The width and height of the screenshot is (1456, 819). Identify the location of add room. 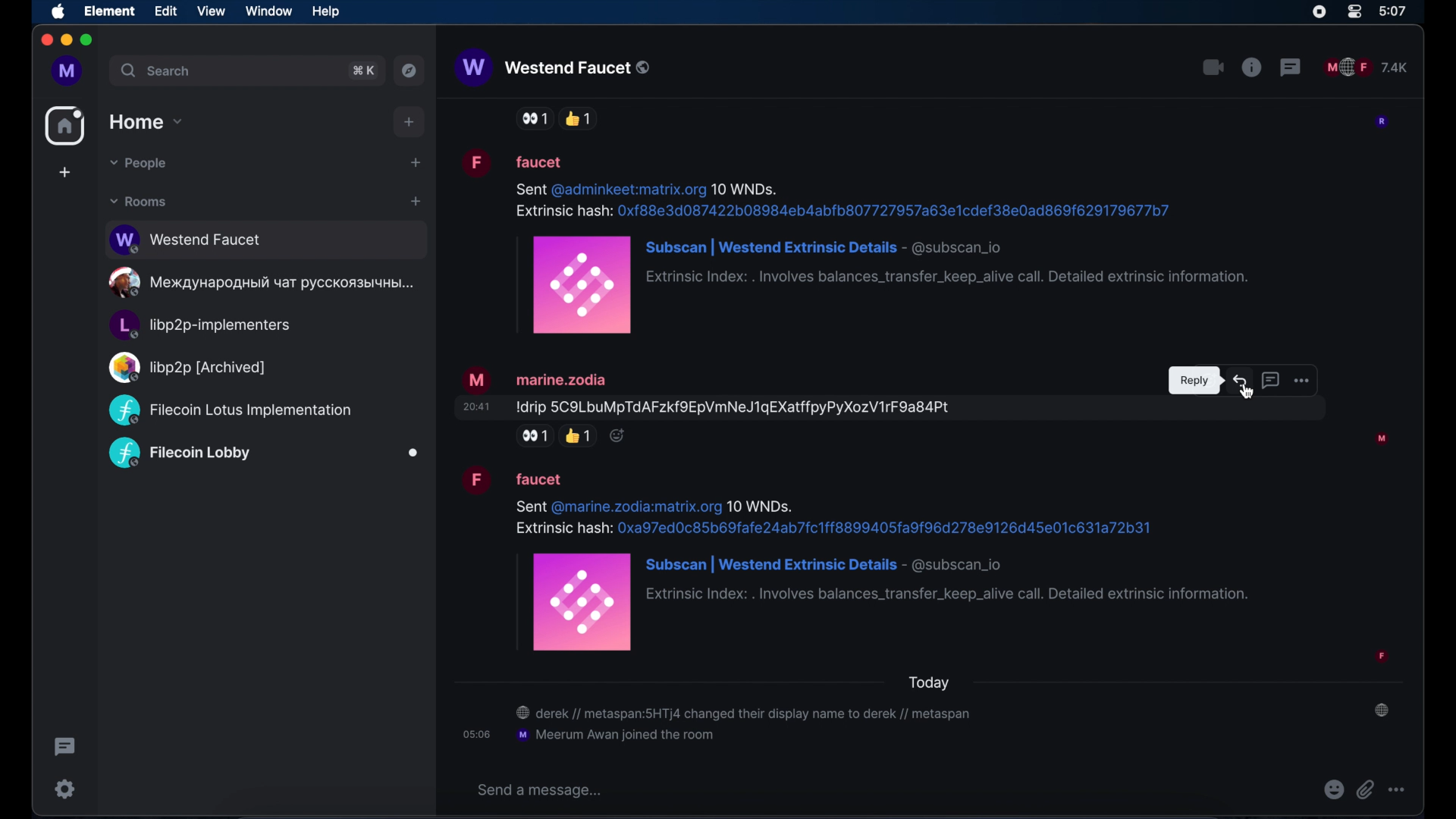
(416, 202).